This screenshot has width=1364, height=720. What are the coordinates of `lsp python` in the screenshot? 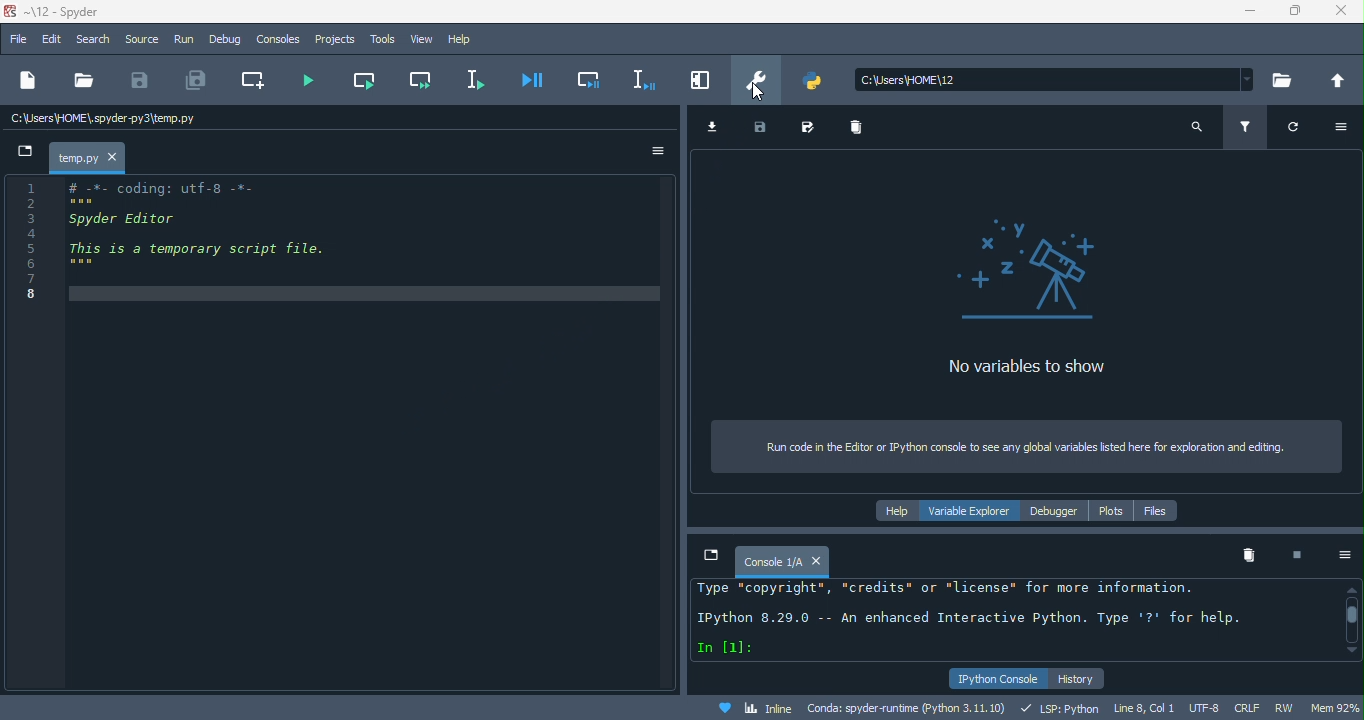 It's located at (1065, 707).